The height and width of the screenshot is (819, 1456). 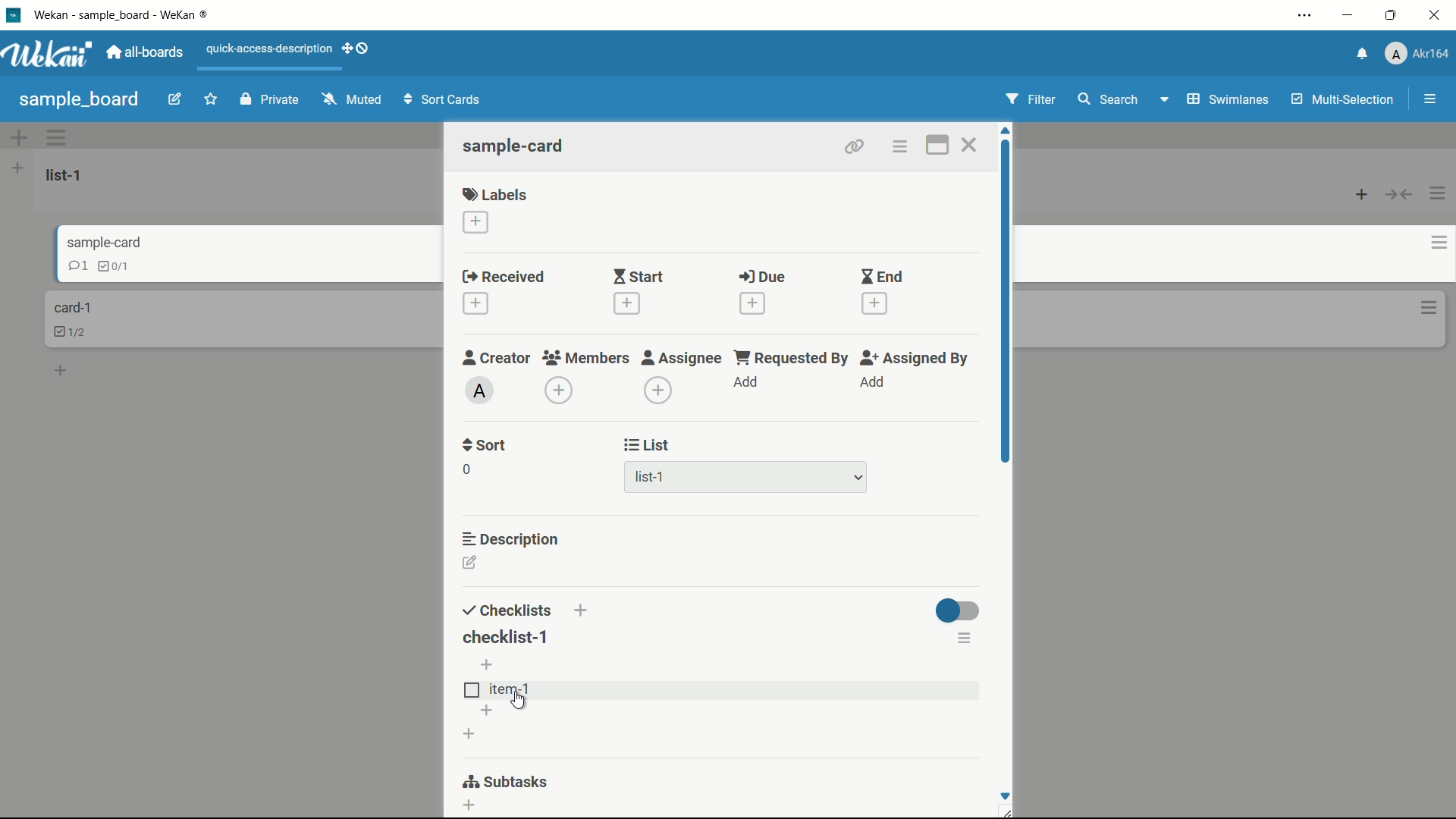 I want to click on checklists, so click(x=508, y=611).